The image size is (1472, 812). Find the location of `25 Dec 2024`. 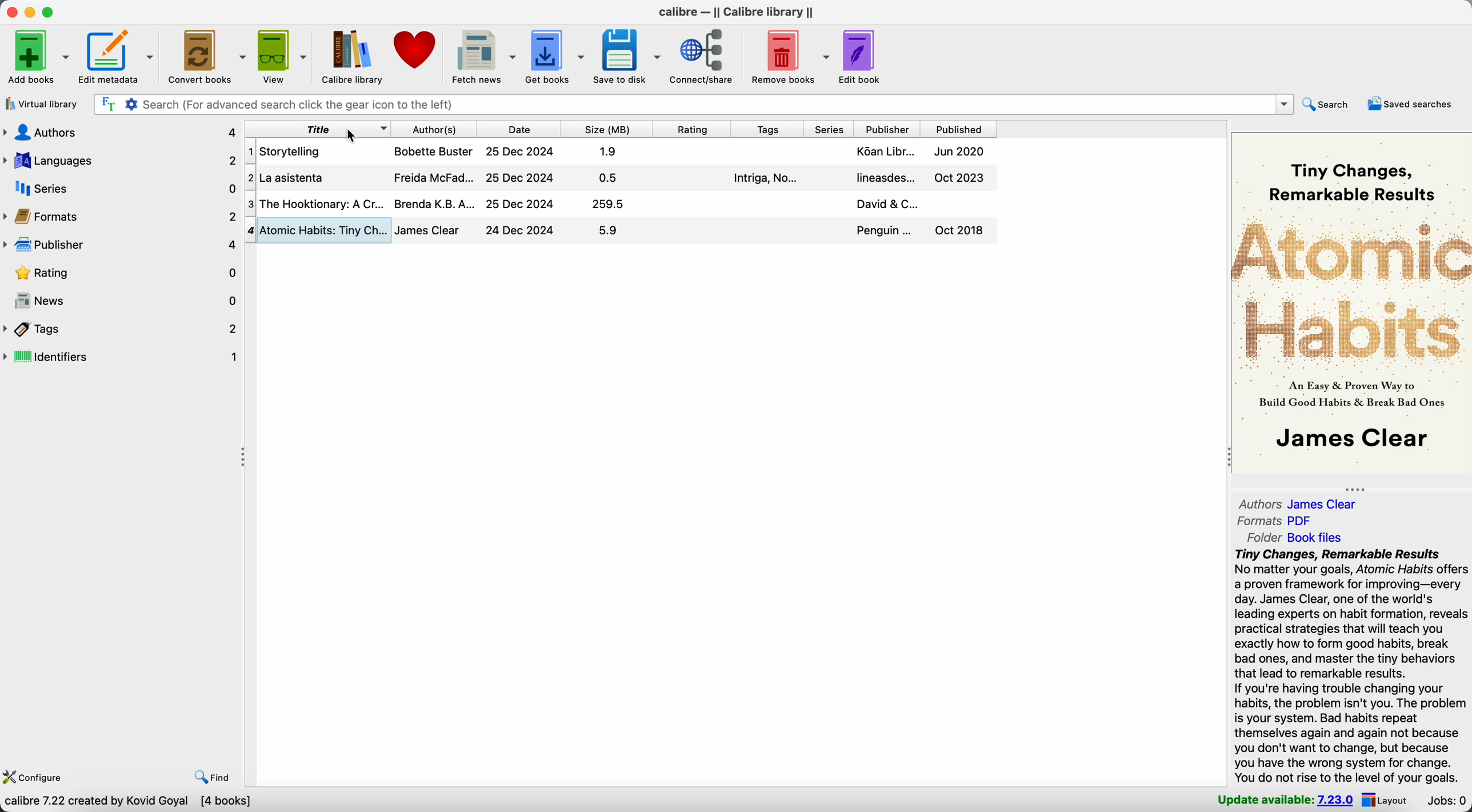

25 Dec 2024 is located at coordinates (521, 204).